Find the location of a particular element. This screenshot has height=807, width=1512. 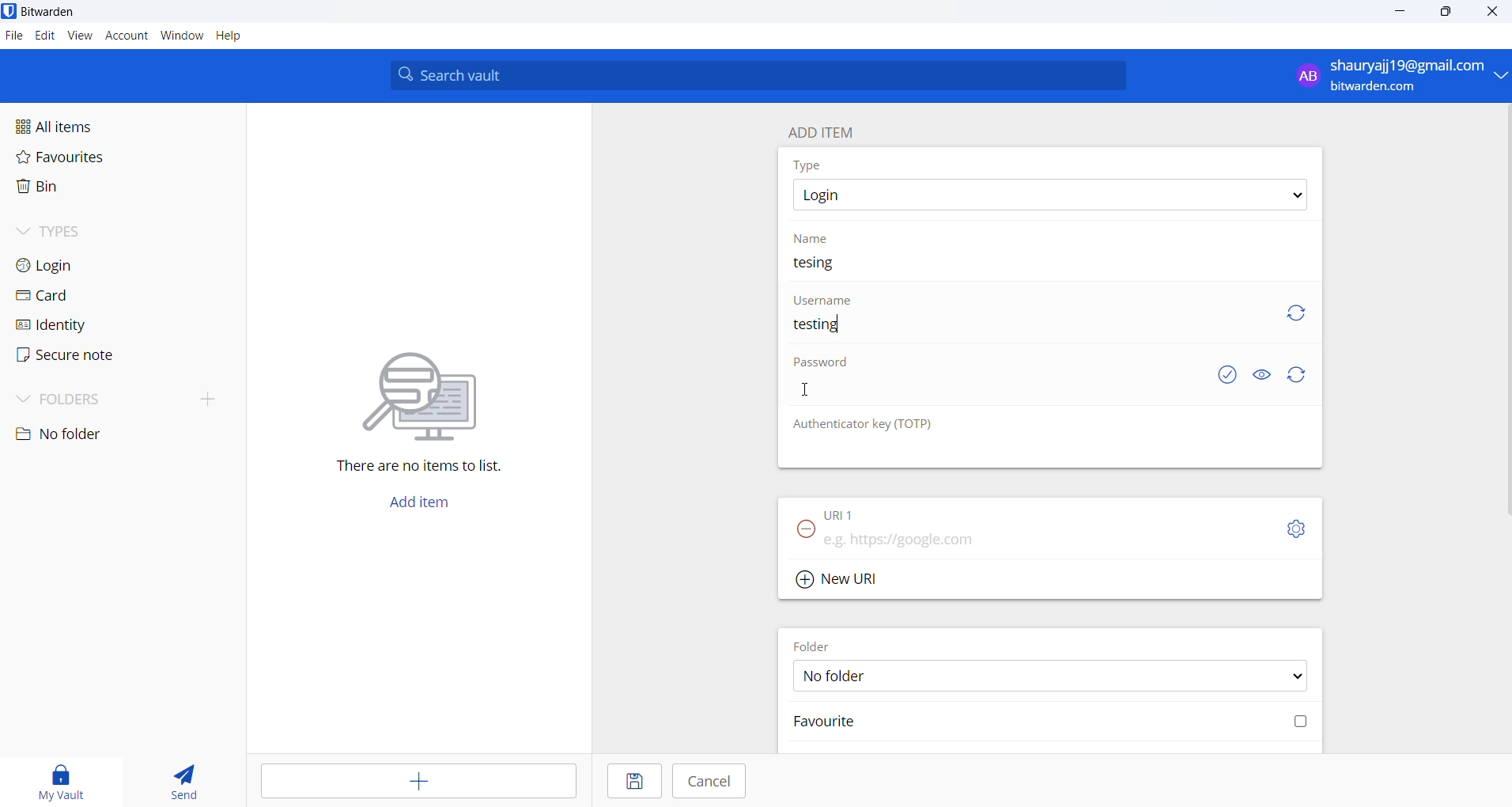

URL input box is located at coordinates (1038, 538).